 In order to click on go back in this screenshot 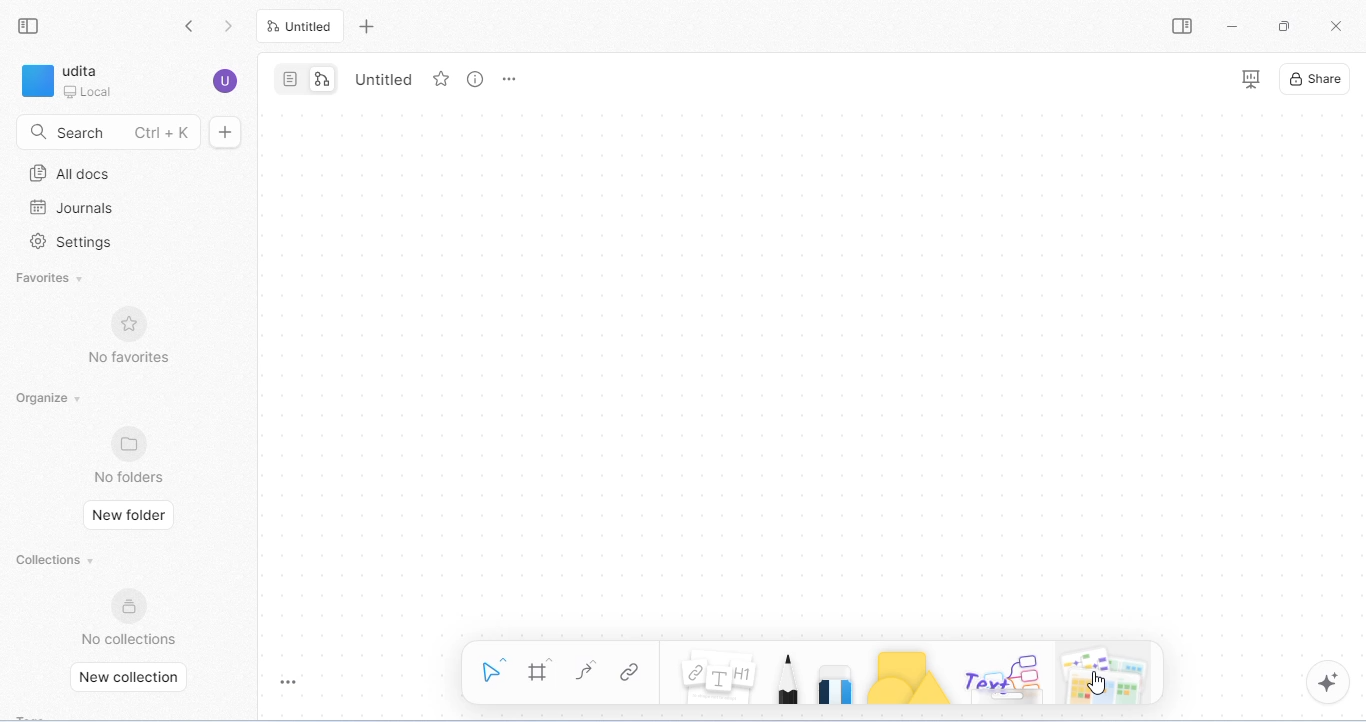, I will do `click(194, 28)`.